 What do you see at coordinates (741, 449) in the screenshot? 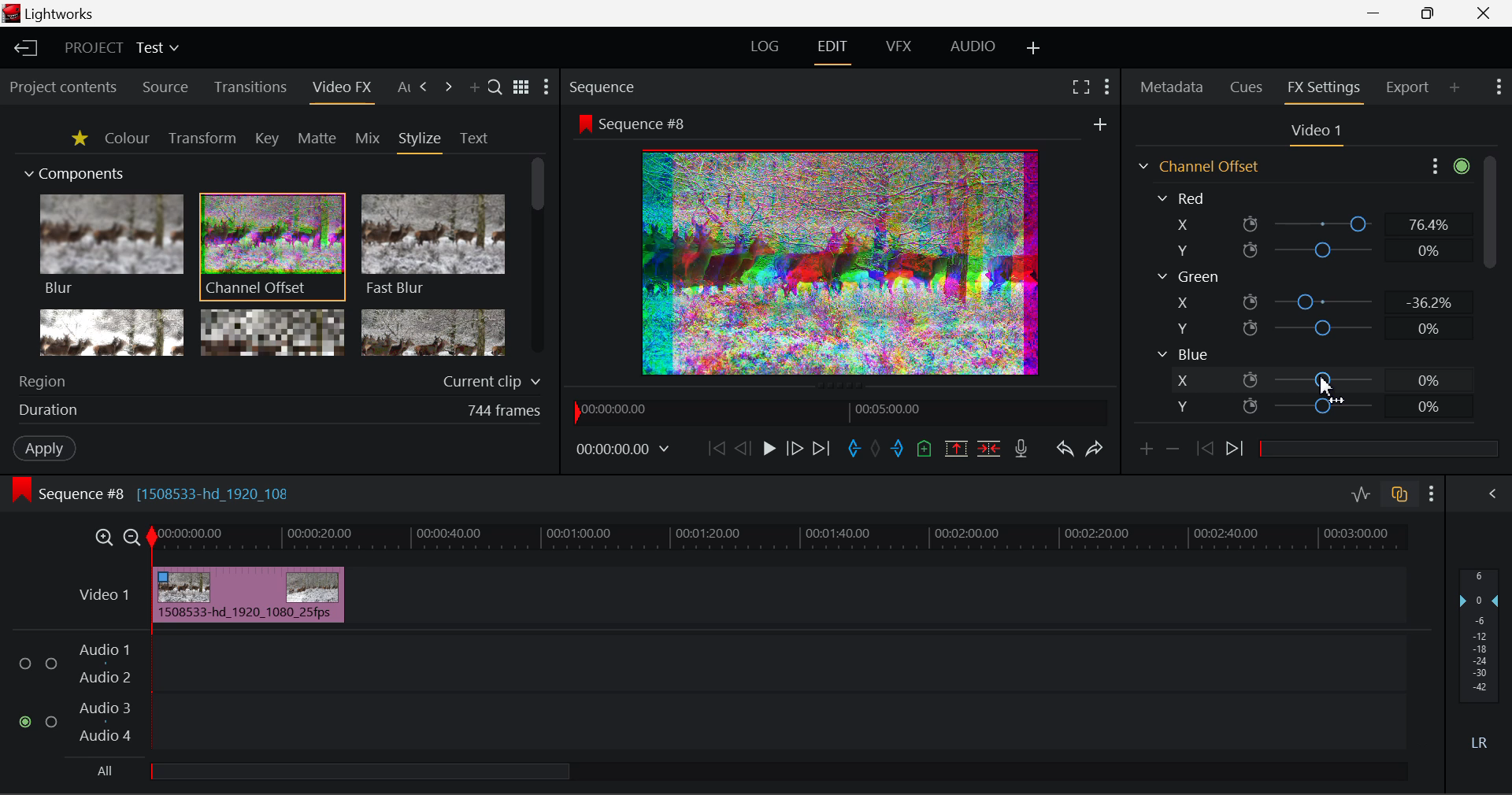
I see `Go Back` at bounding box center [741, 449].